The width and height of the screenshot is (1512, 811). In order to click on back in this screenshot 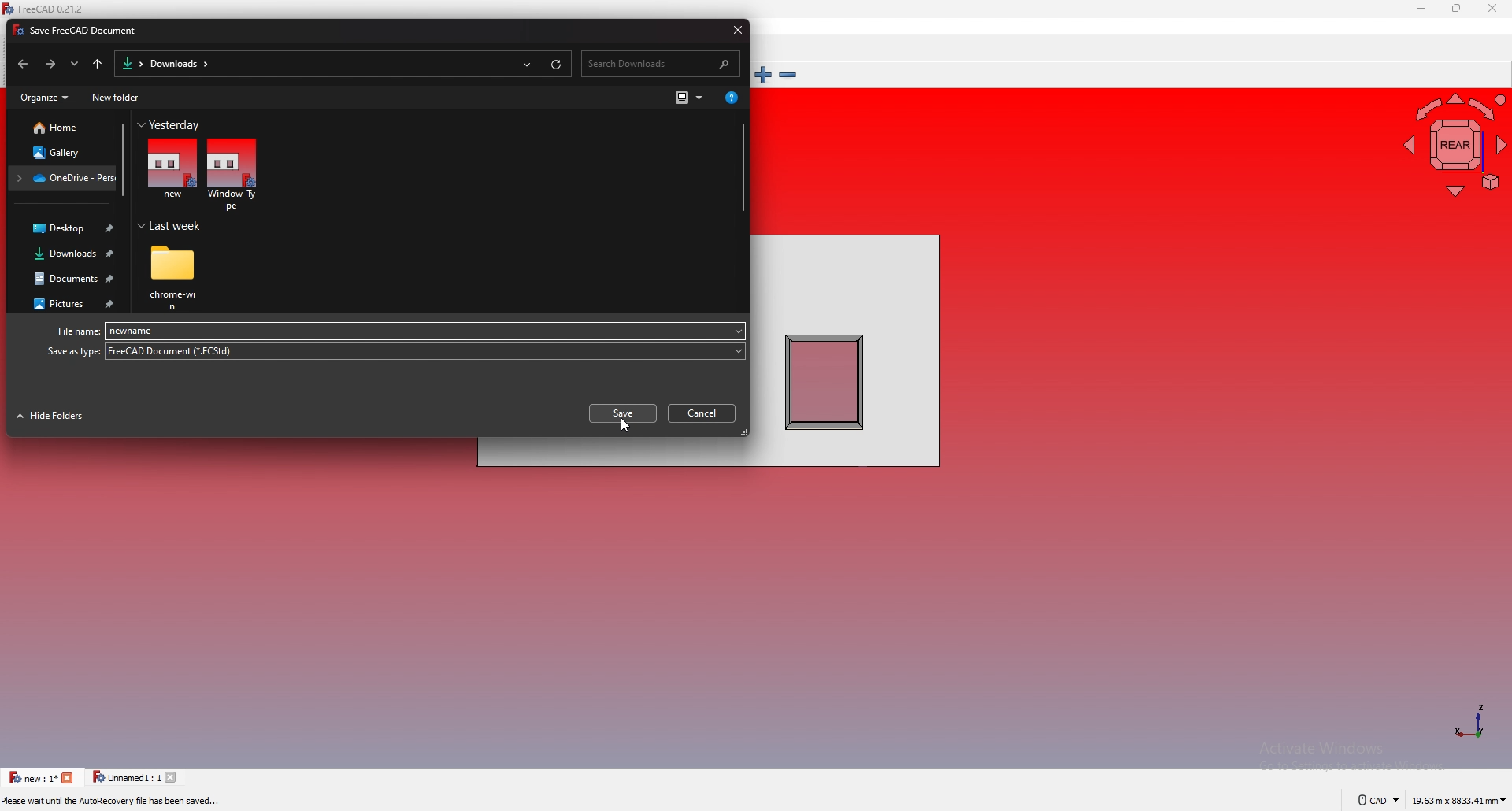, I will do `click(23, 63)`.